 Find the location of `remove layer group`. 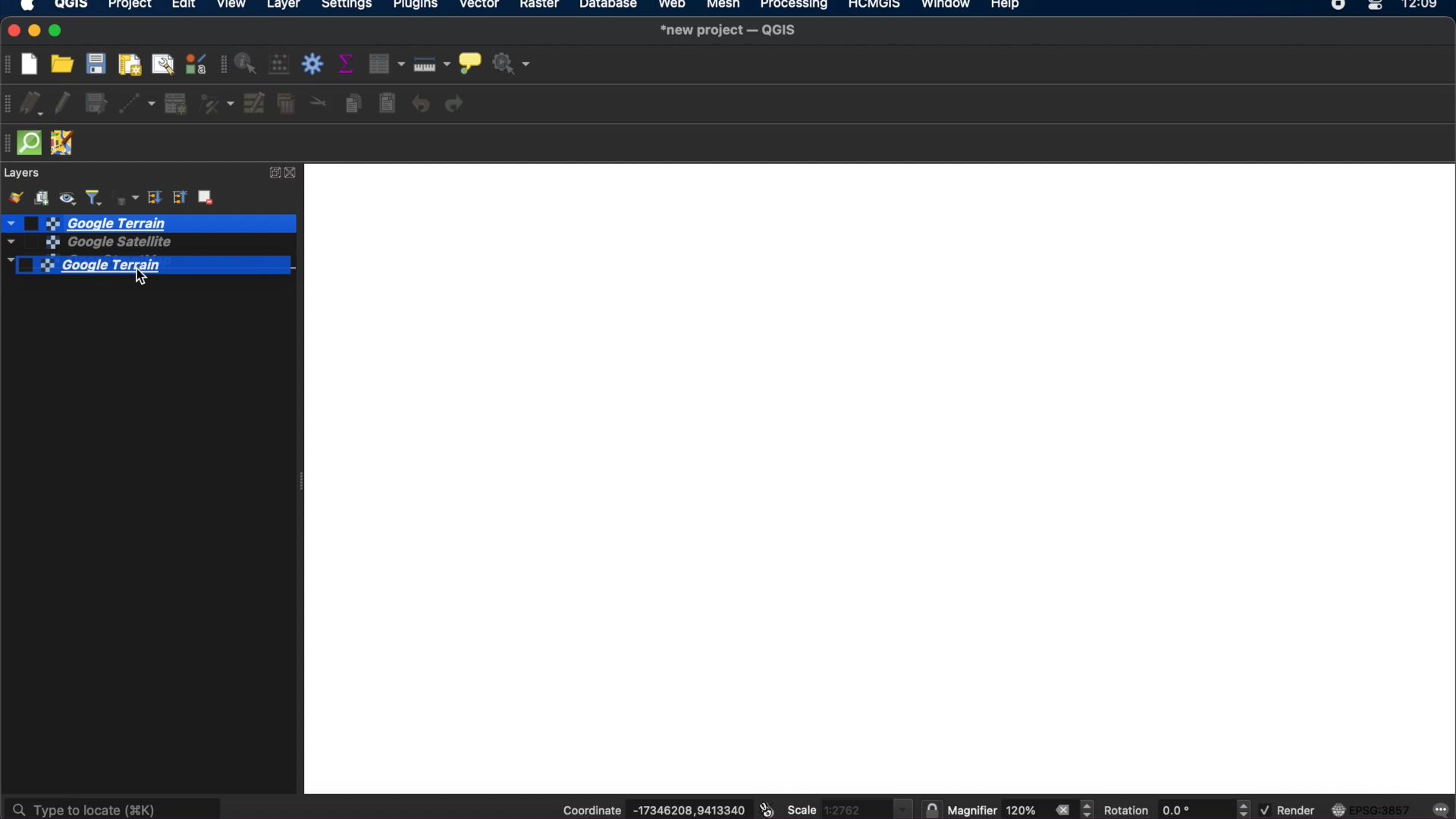

remove layer group is located at coordinates (208, 199).